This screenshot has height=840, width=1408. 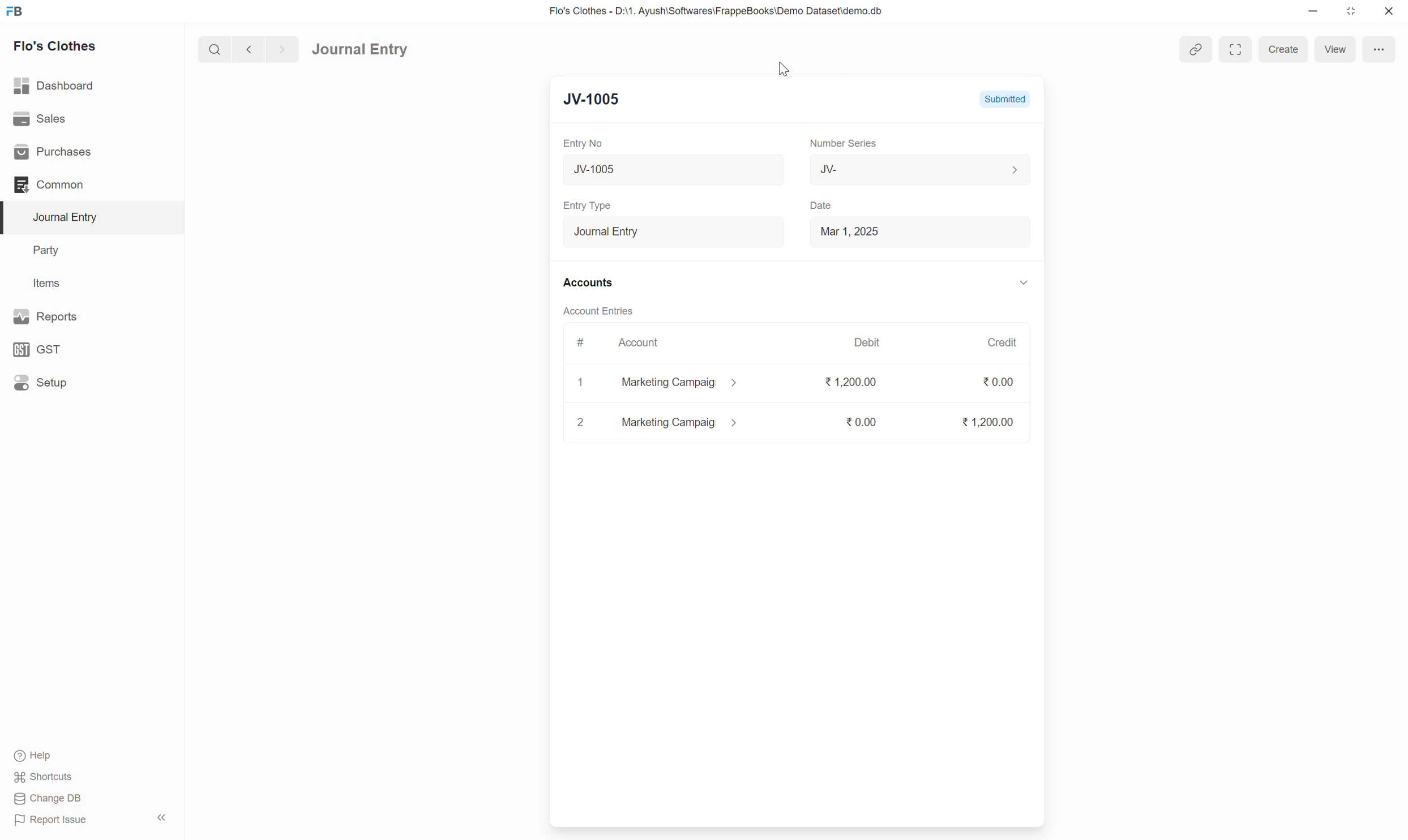 What do you see at coordinates (585, 143) in the screenshot?
I see `Entry No` at bounding box center [585, 143].